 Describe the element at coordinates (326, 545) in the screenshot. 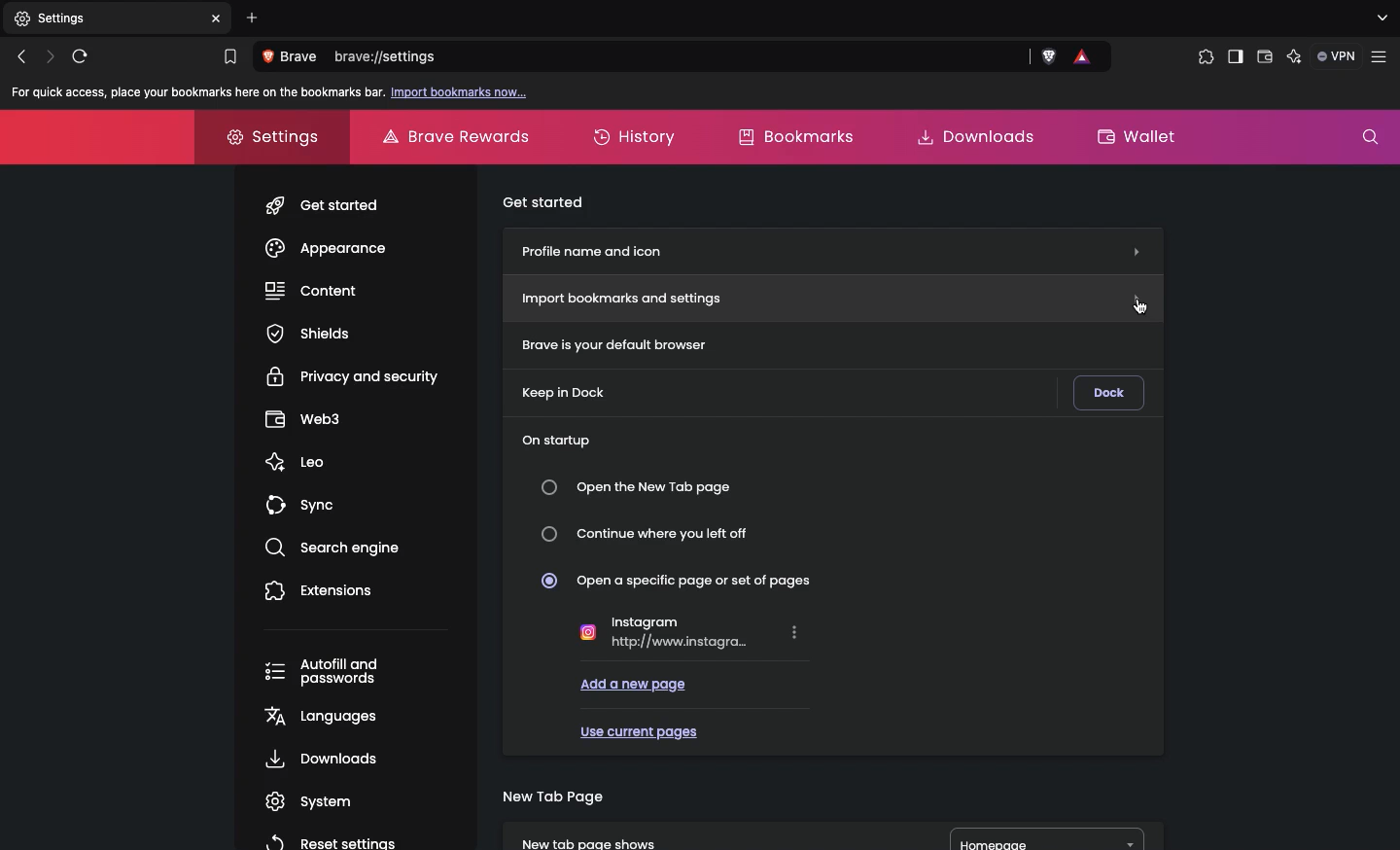

I see `Search engine` at that location.